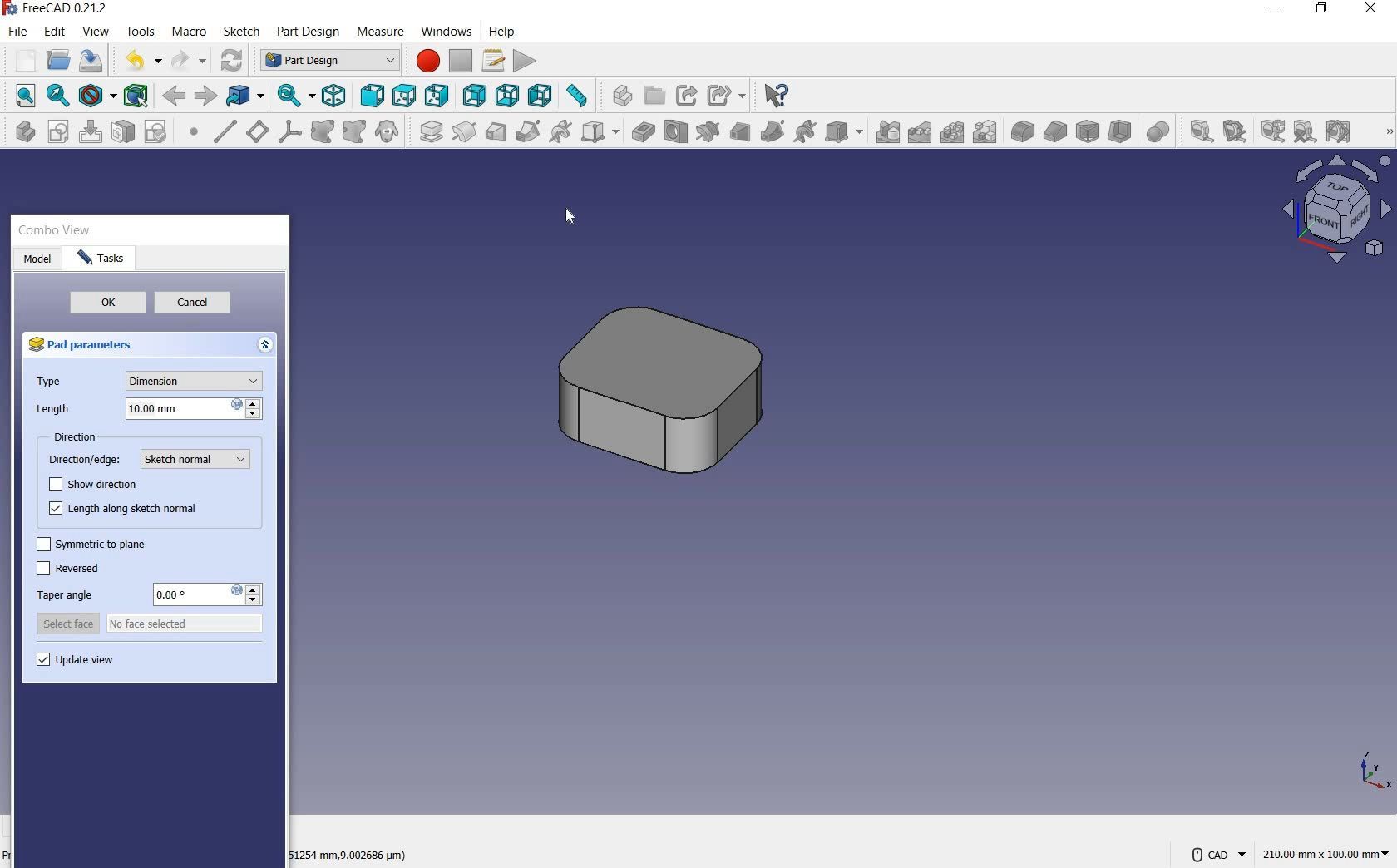  What do you see at coordinates (241, 32) in the screenshot?
I see `sketch` at bounding box center [241, 32].